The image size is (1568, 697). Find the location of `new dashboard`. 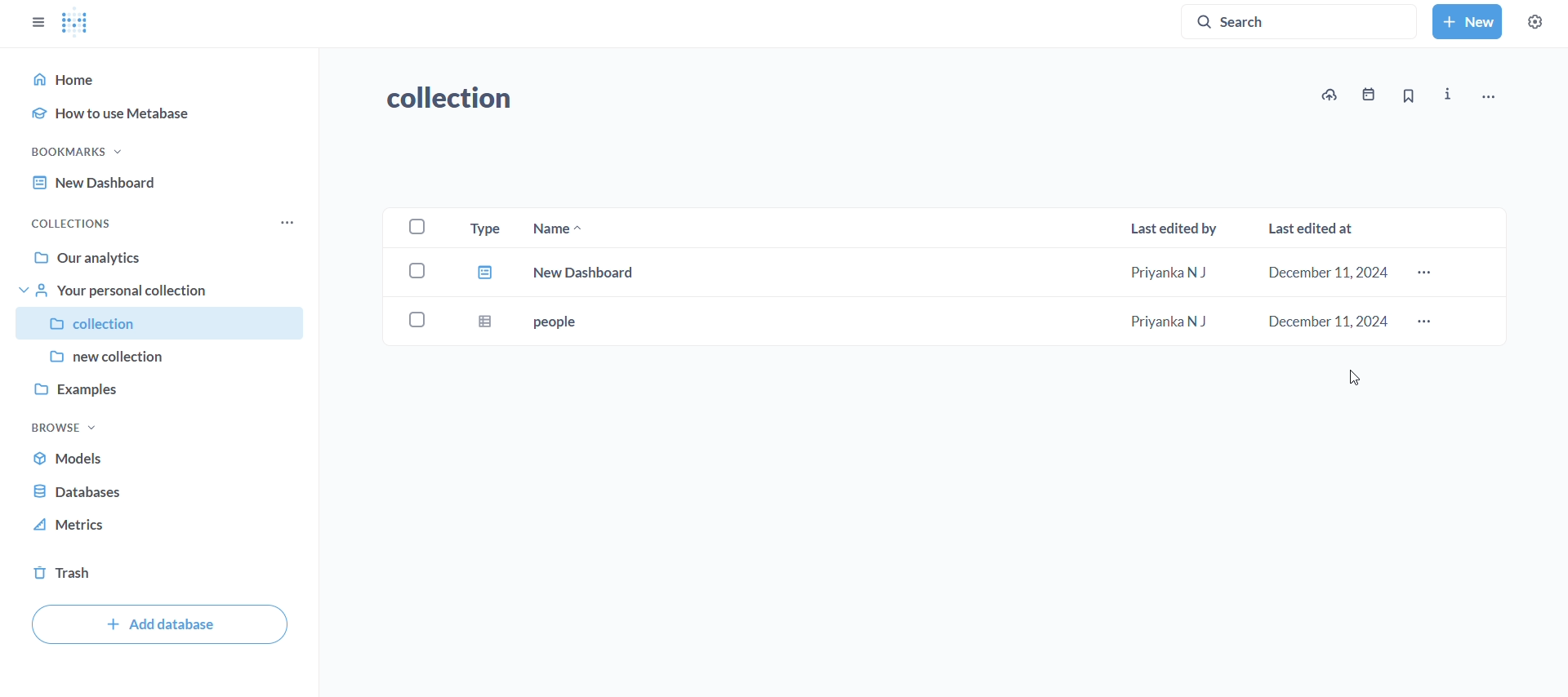

new dashboard is located at coordinates (933, 275).